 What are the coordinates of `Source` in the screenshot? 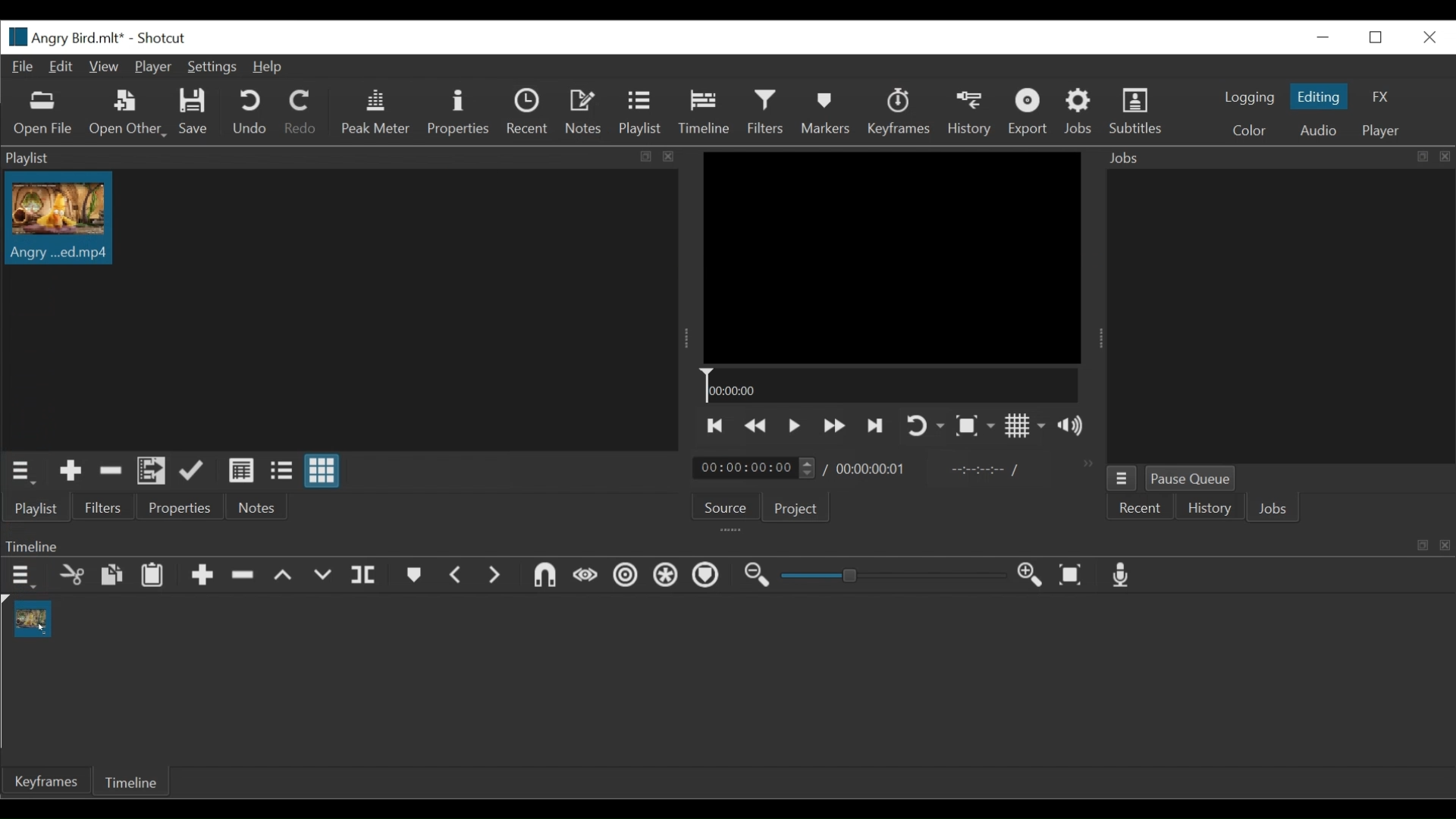 It's located at (726, 507).